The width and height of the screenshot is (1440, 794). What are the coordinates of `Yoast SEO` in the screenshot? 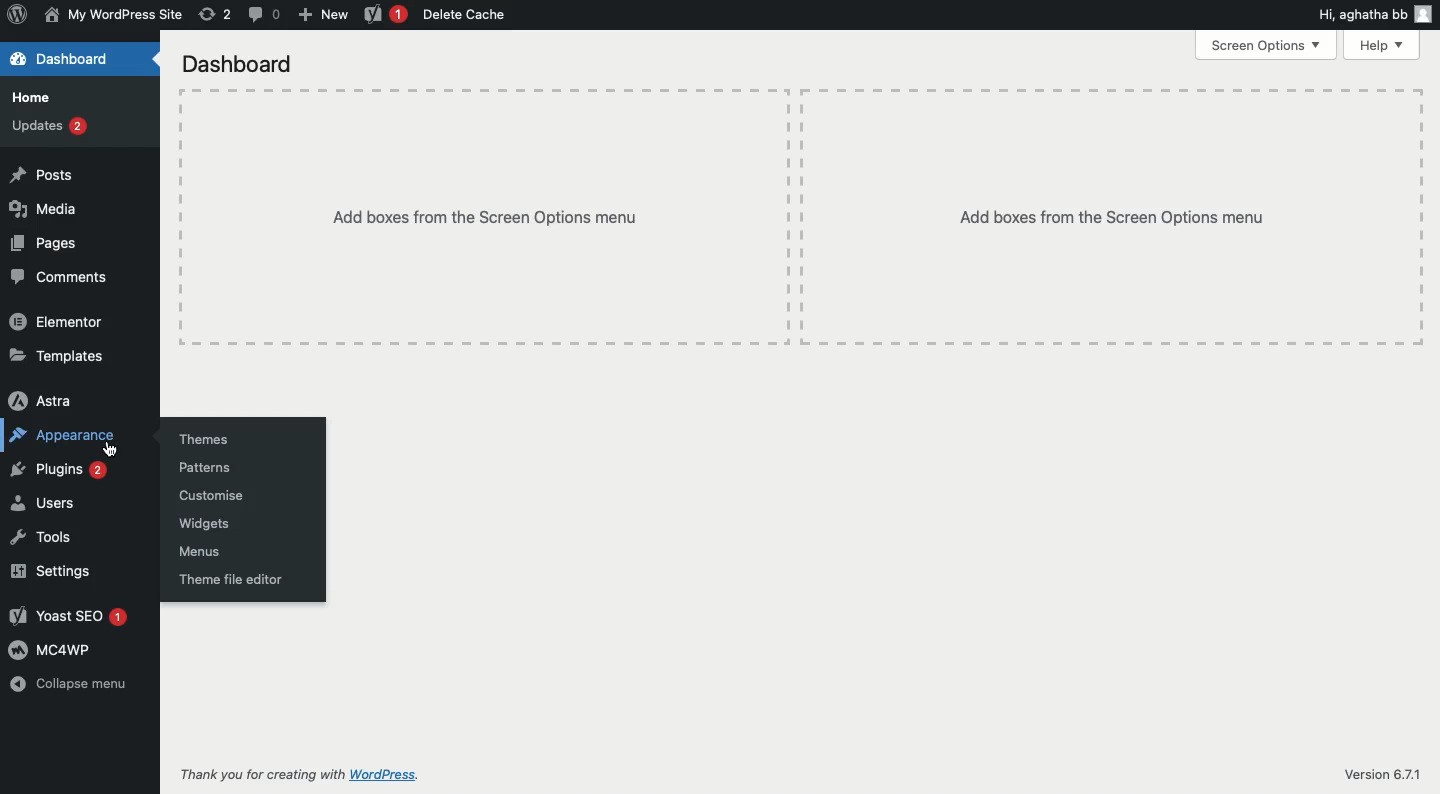 It's located at (69, 617).